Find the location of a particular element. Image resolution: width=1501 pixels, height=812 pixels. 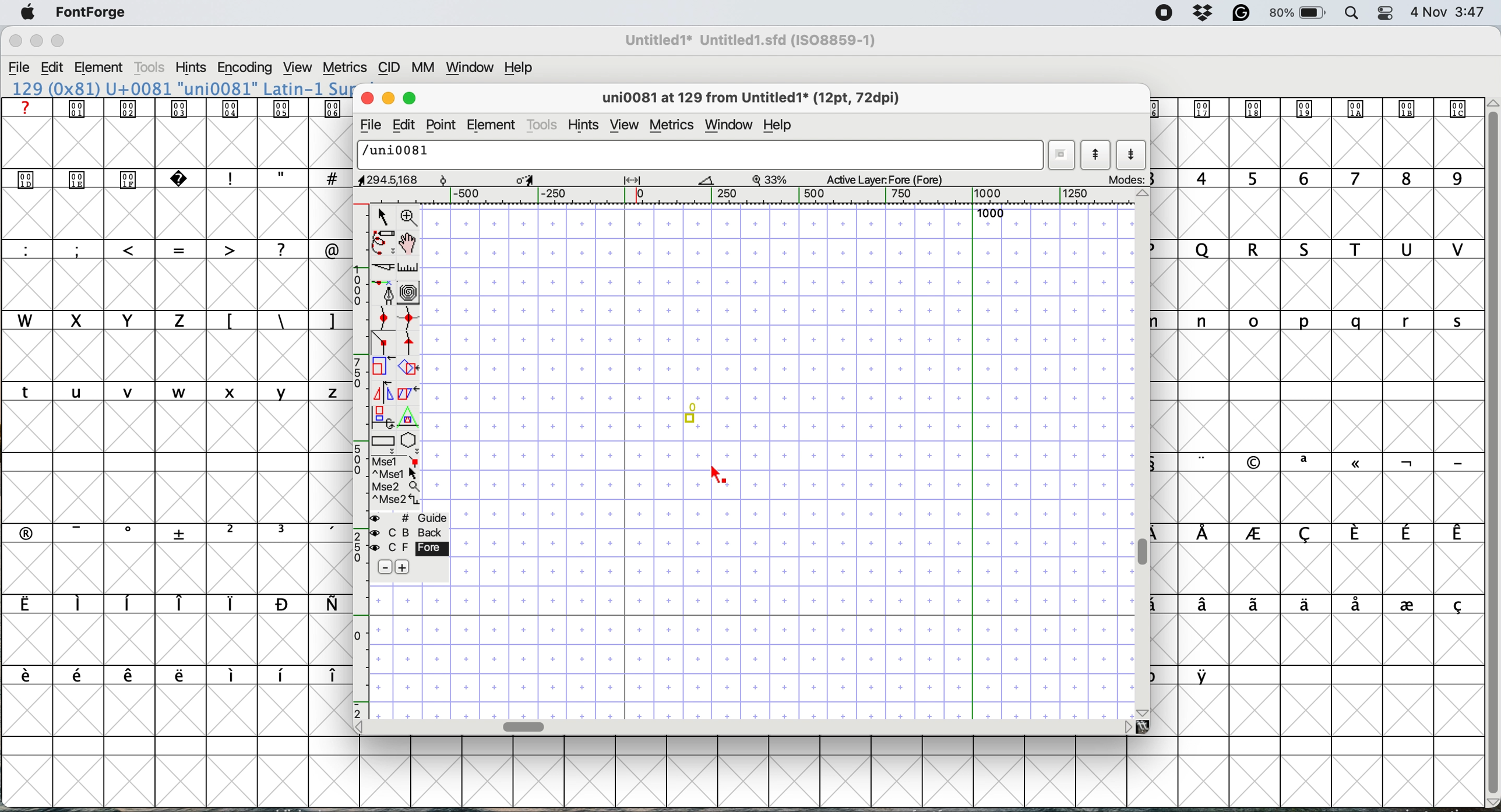

Grammarly Icon is located at coordinates (1241, 13).